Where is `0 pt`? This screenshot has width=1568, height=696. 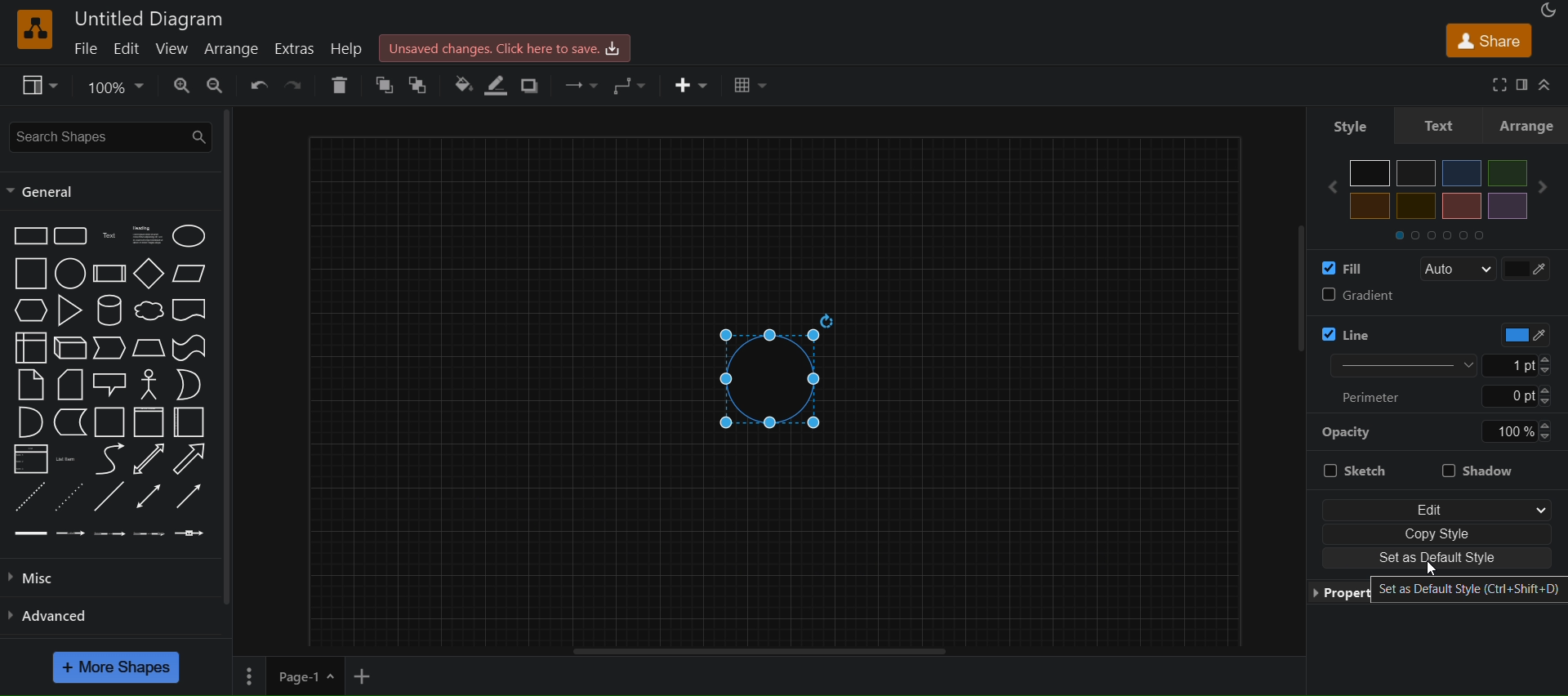
0 pt is located at coordinates (1518, 397).